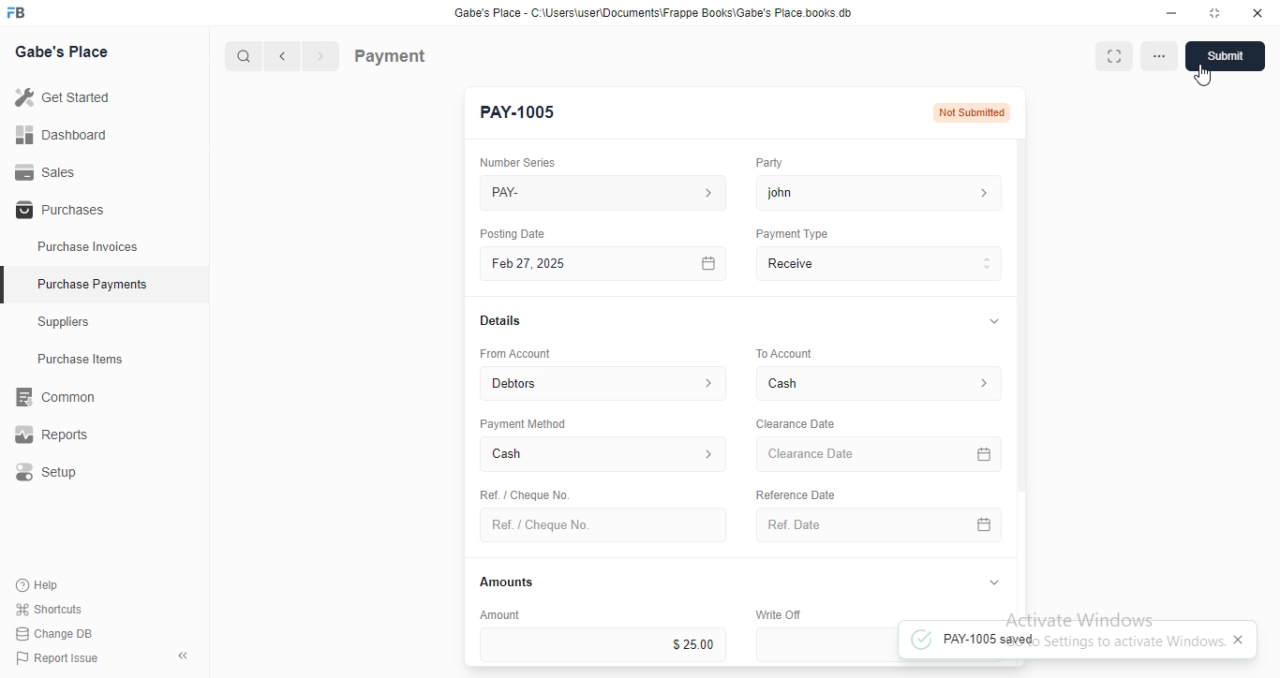 This screenshot has height=678, width=1280. What do you see at coordinates (52, 632) in the screenshot?
I see `Change DB` at bounding box center [52, 632].